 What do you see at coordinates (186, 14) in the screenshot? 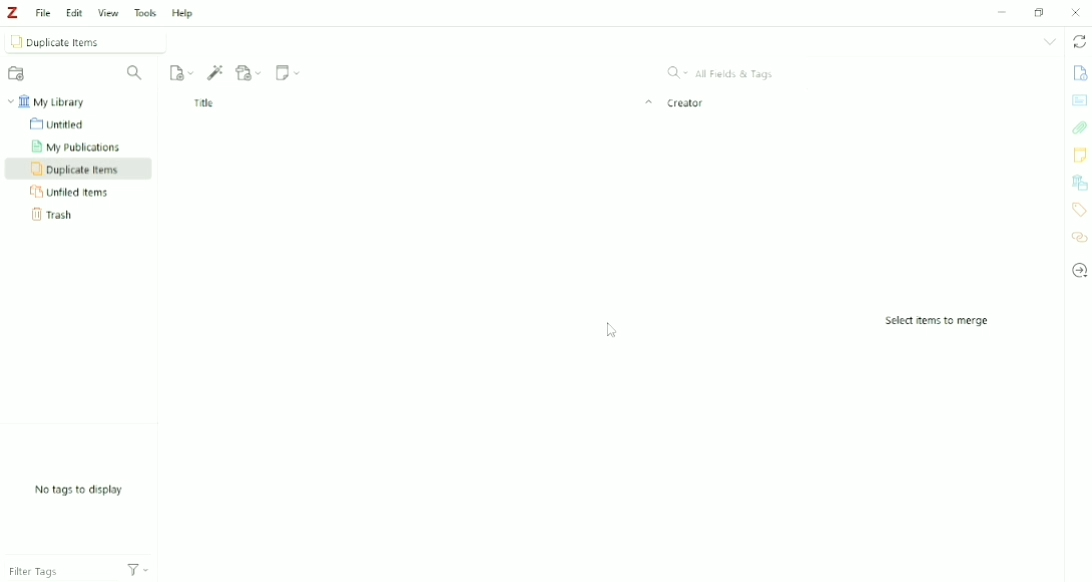
I see `Help` at bounding box center [186, 14].